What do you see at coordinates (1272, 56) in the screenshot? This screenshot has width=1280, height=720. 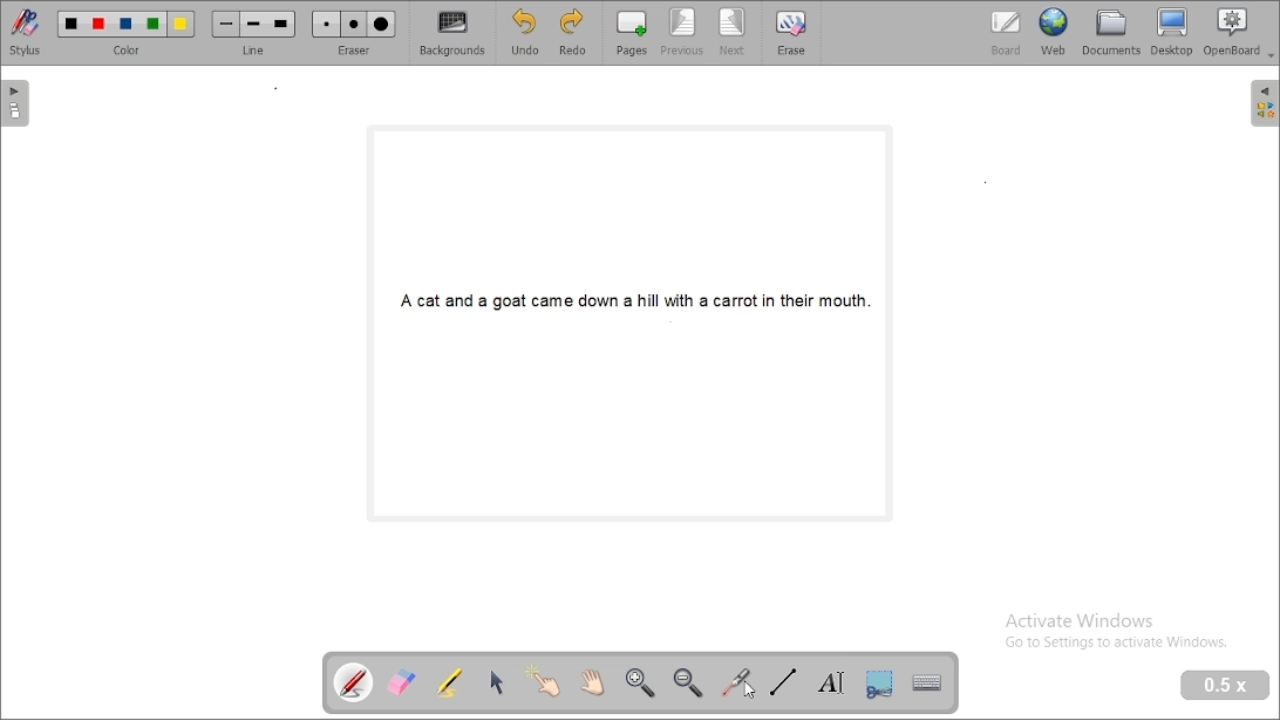 I see `Dropdown` at bounding box center [1272, 56].